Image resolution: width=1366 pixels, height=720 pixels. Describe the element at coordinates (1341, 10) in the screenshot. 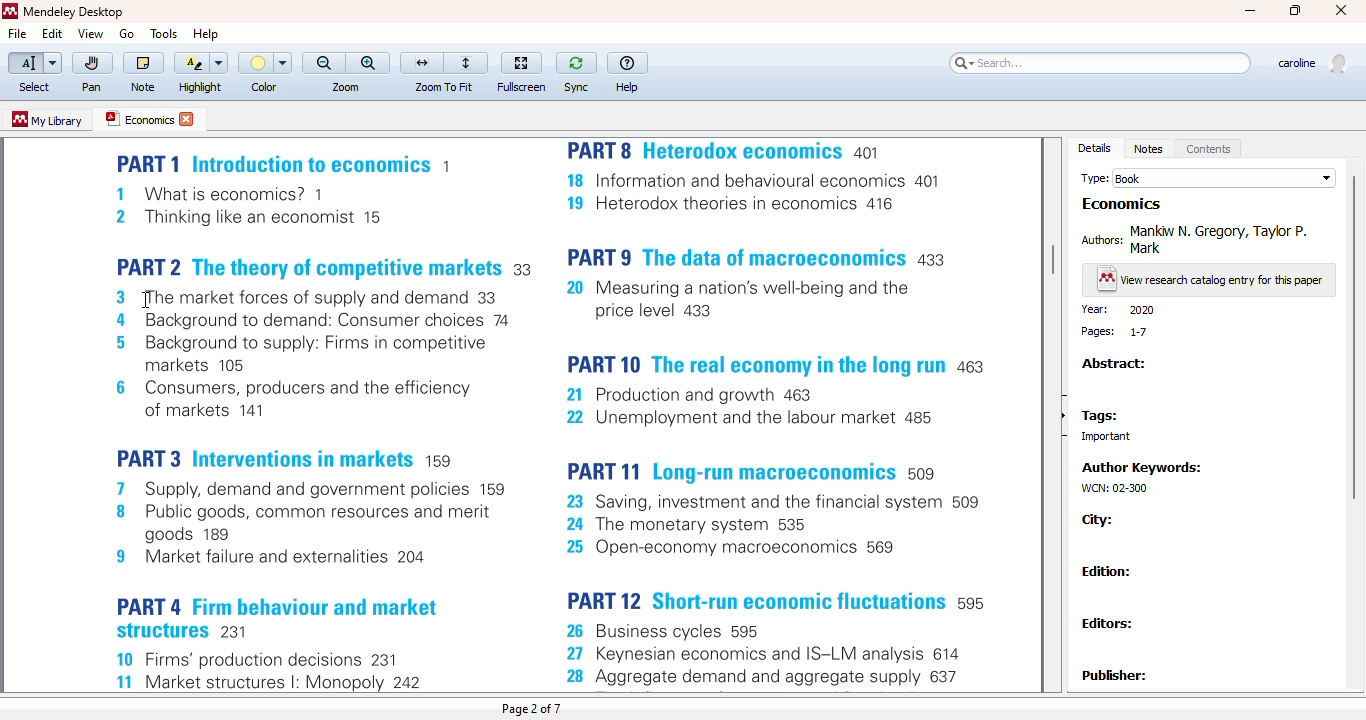

I see `close` at that location.